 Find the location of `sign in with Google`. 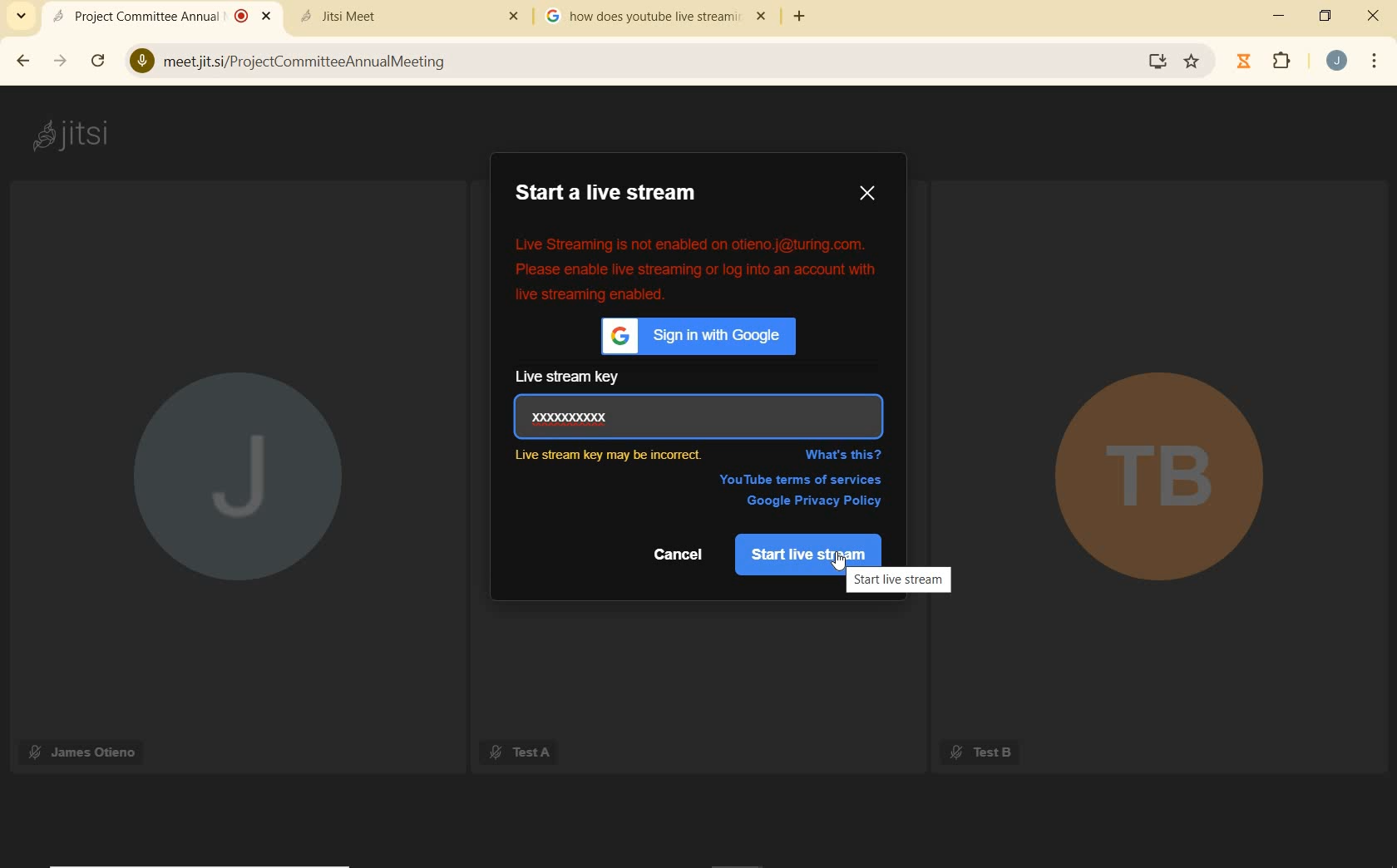

sign in with Google is located at coordinates (708, 333).